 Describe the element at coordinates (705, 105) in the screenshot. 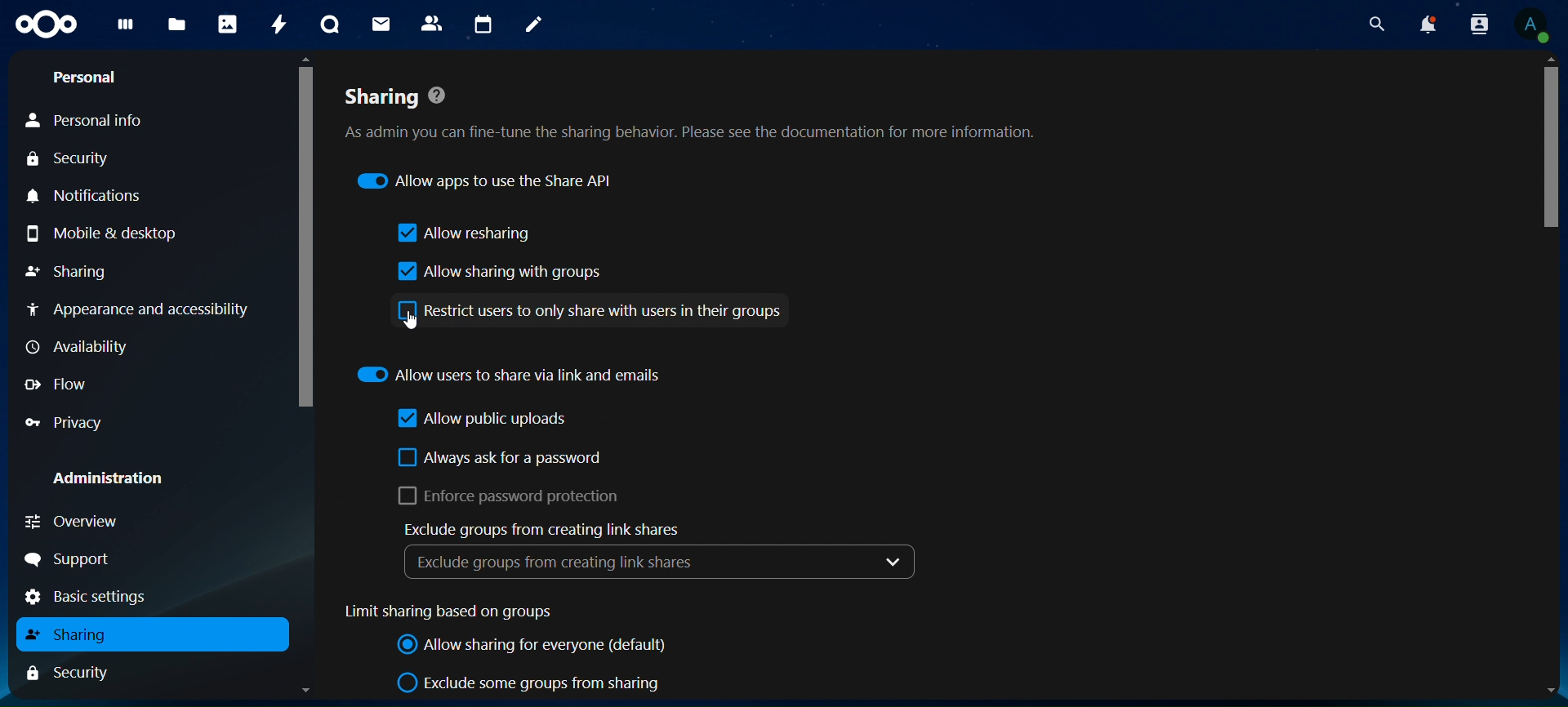

I see `Sharing ©
As admin you can fine-tune the sharing behavior. Please see the documentation for more information.` at that location.